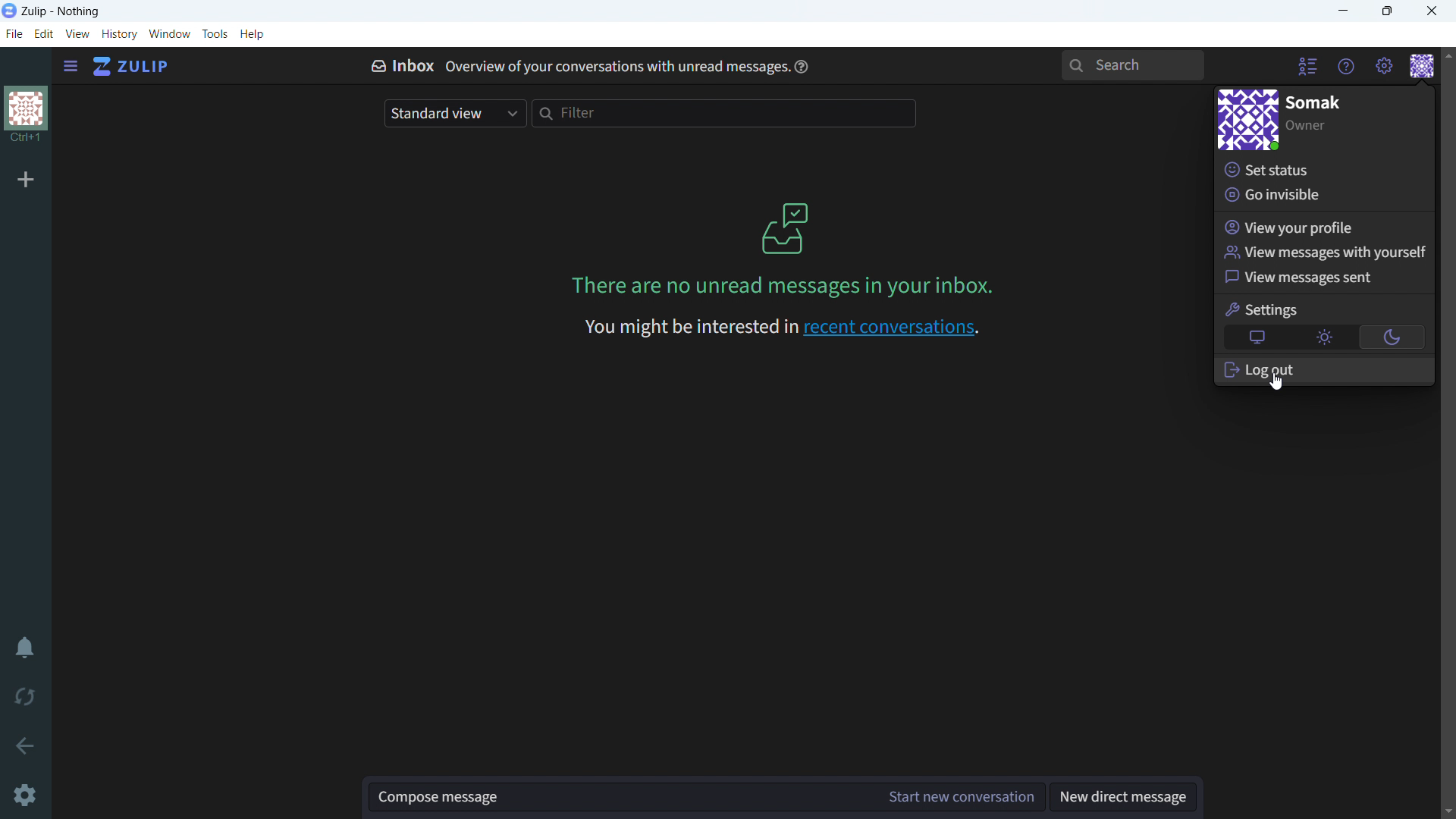  I want to click on maximize, so click(1386, 11).